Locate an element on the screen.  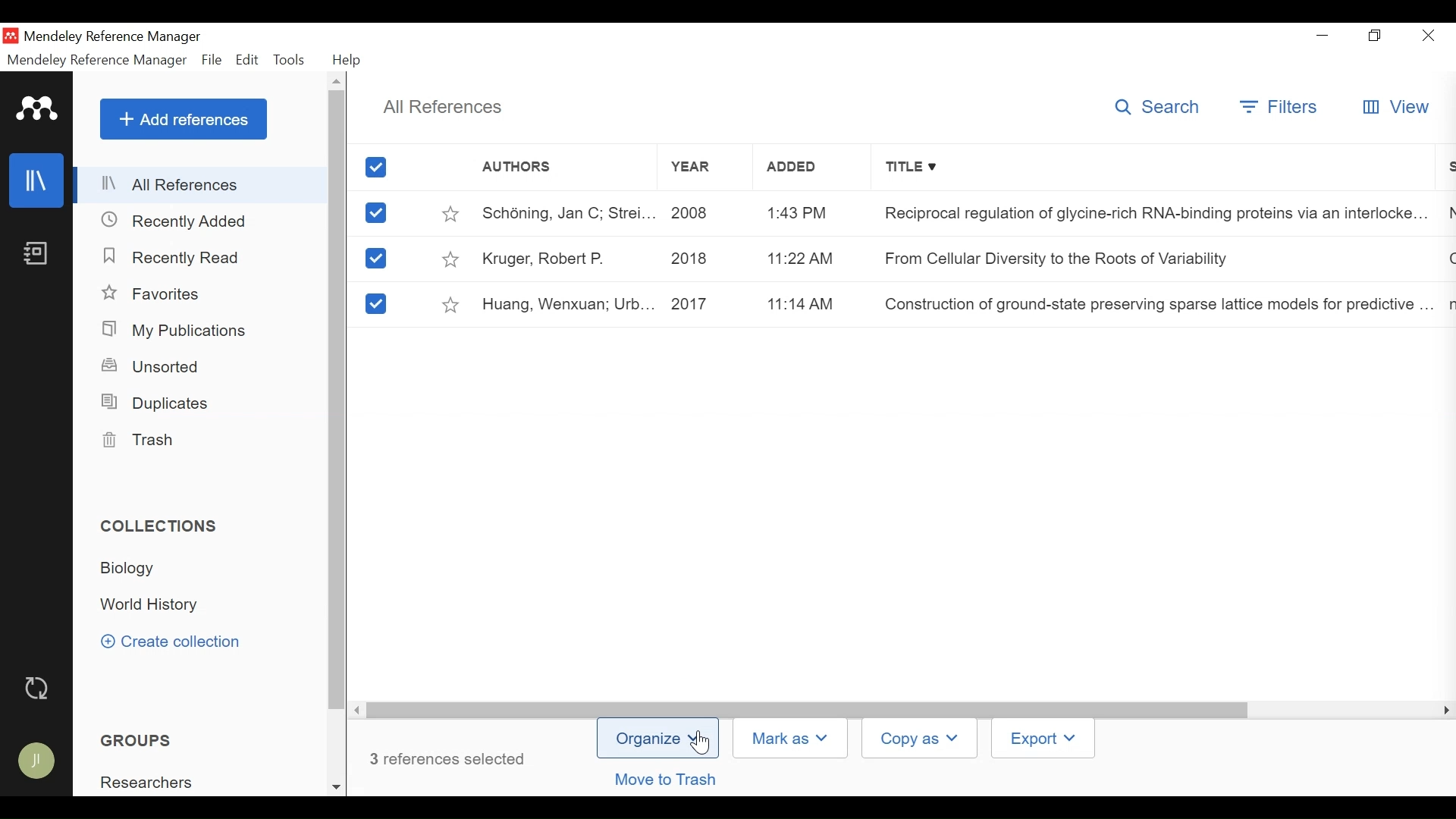
Collection is located at coordinates (180, 781).